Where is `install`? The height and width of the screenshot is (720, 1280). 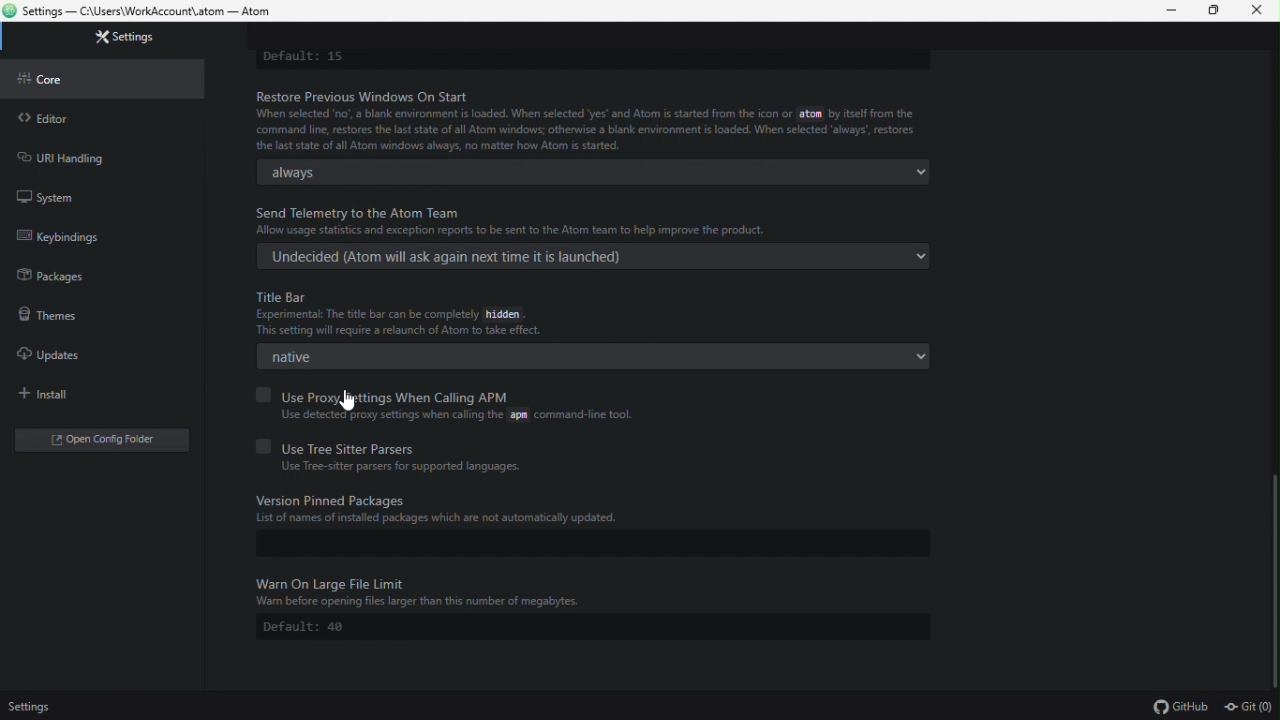 install is located at coordinates (104, 395).